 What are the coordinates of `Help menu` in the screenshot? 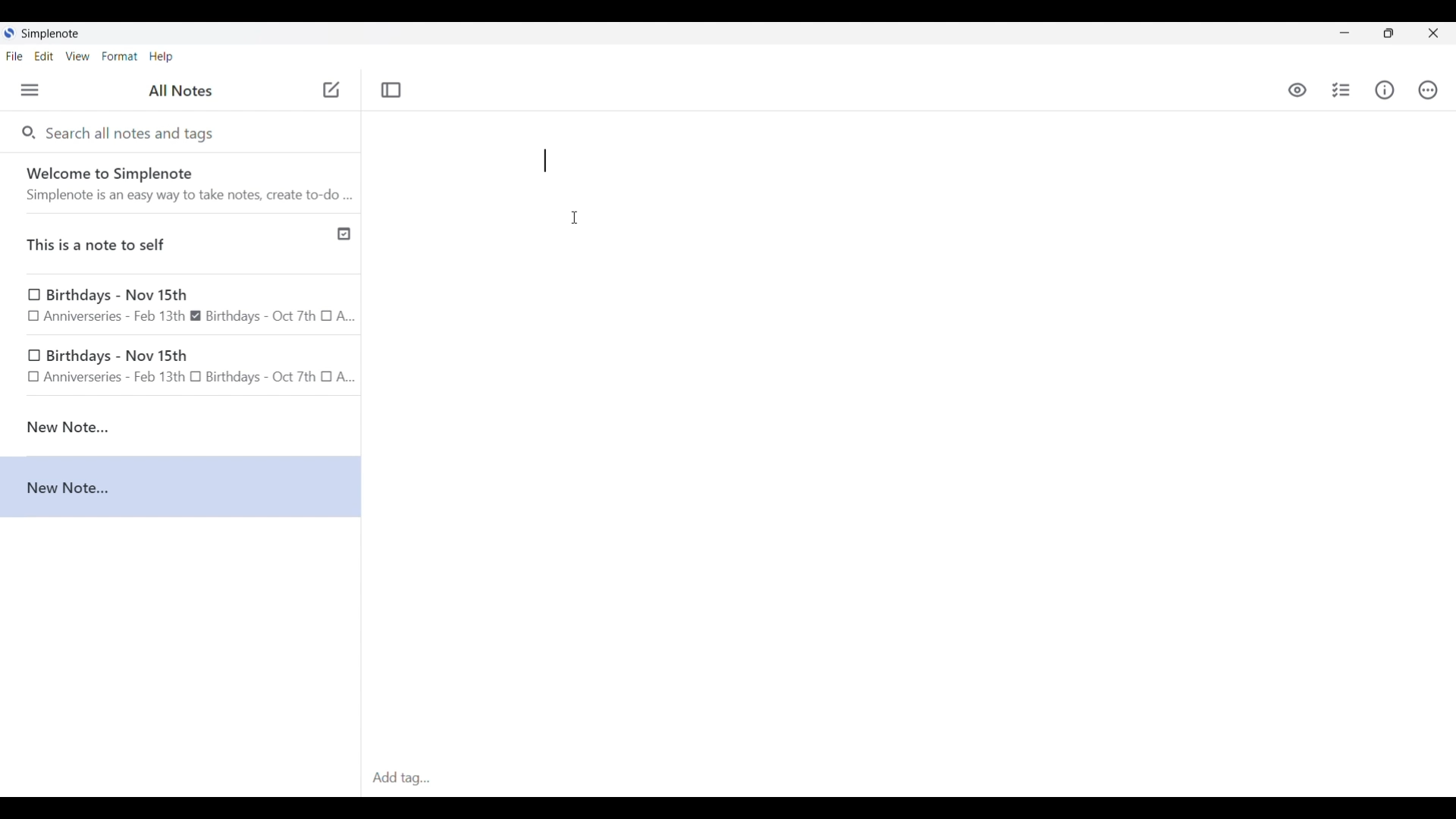 It's located at (161, 56).